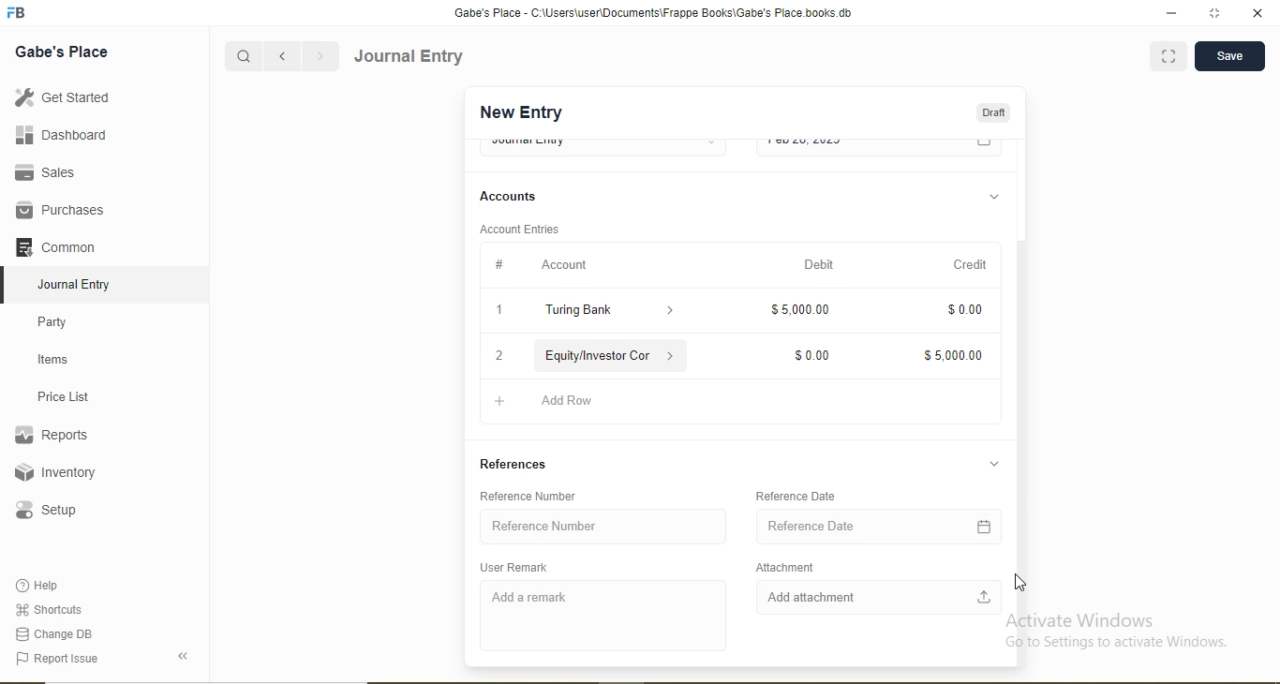 This screenshot has width=1280, height=684. I want to click on Dropdown, so click(994, 464).